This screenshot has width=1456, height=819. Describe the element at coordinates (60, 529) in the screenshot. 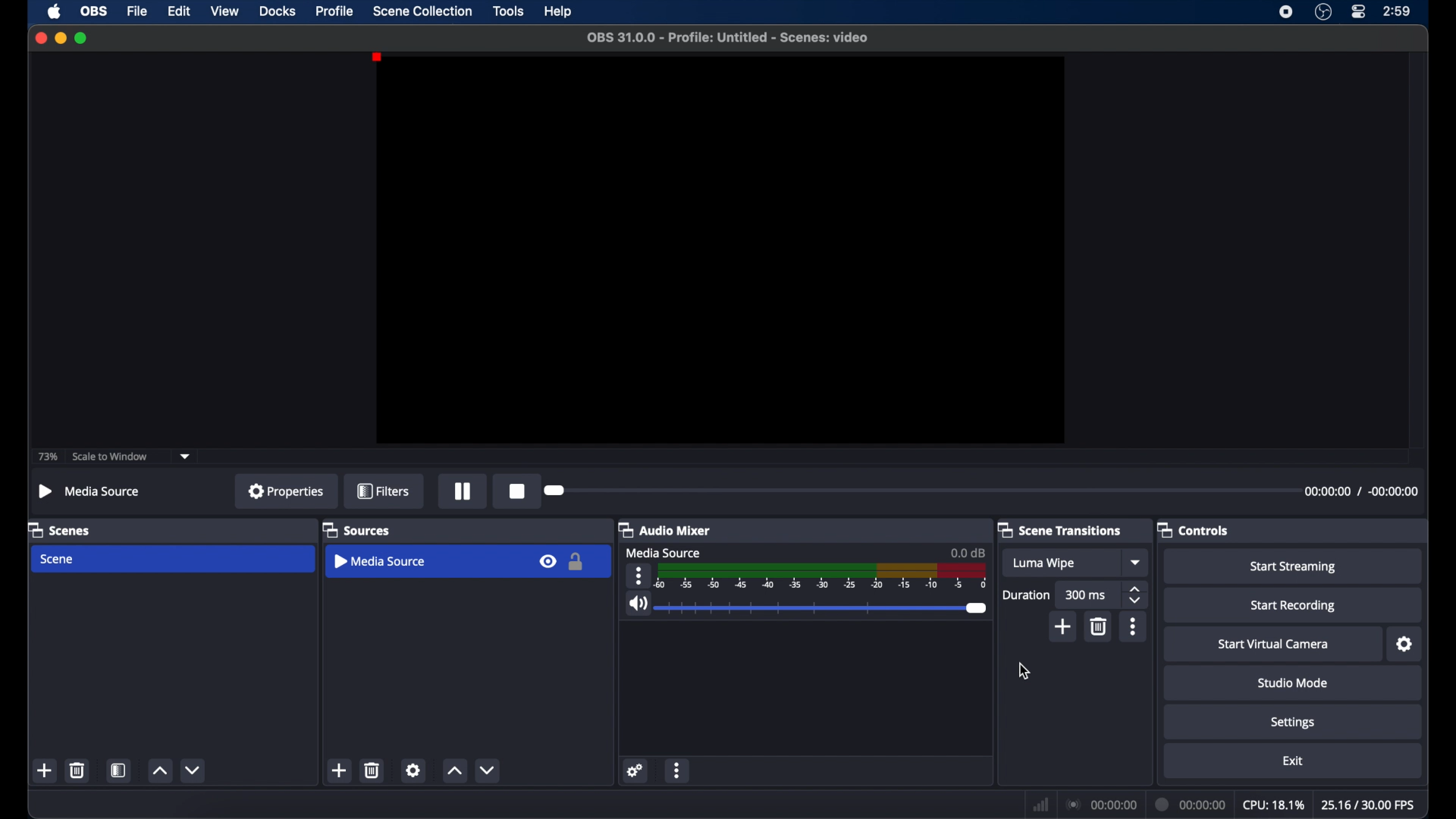

I see `scenes` at that location.